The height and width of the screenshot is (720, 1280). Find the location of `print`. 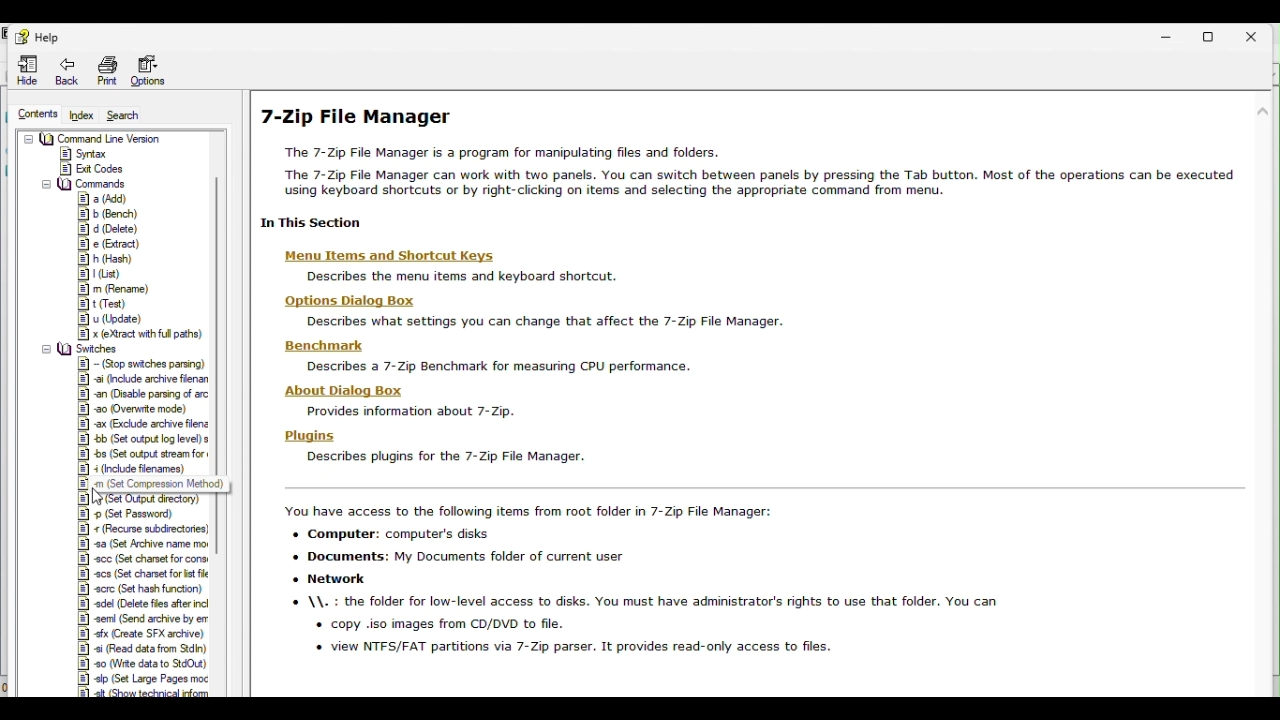

print is located at coordinates (106, 70).